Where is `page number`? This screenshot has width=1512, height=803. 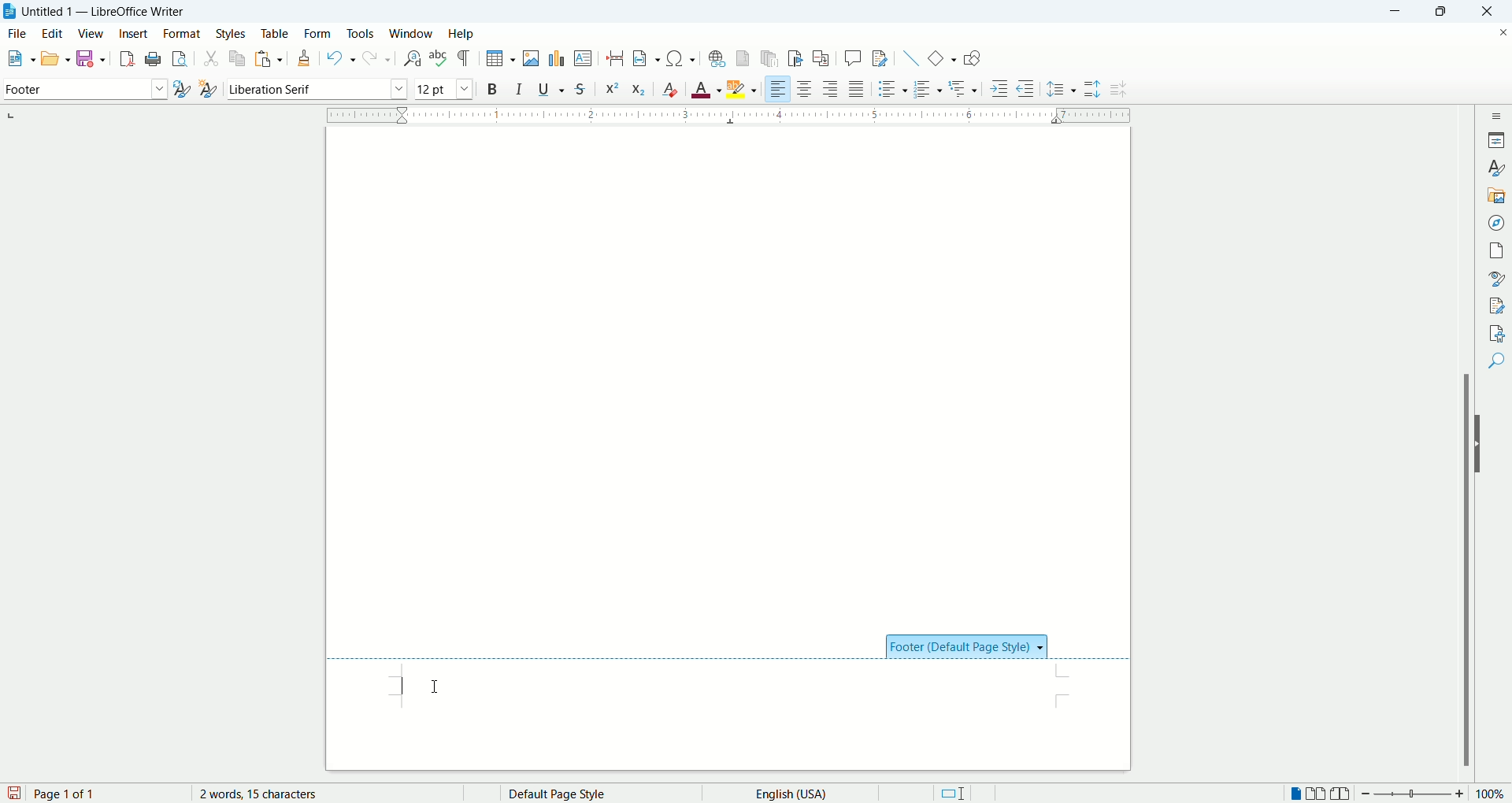 page number is located at coordinates (106, 794).